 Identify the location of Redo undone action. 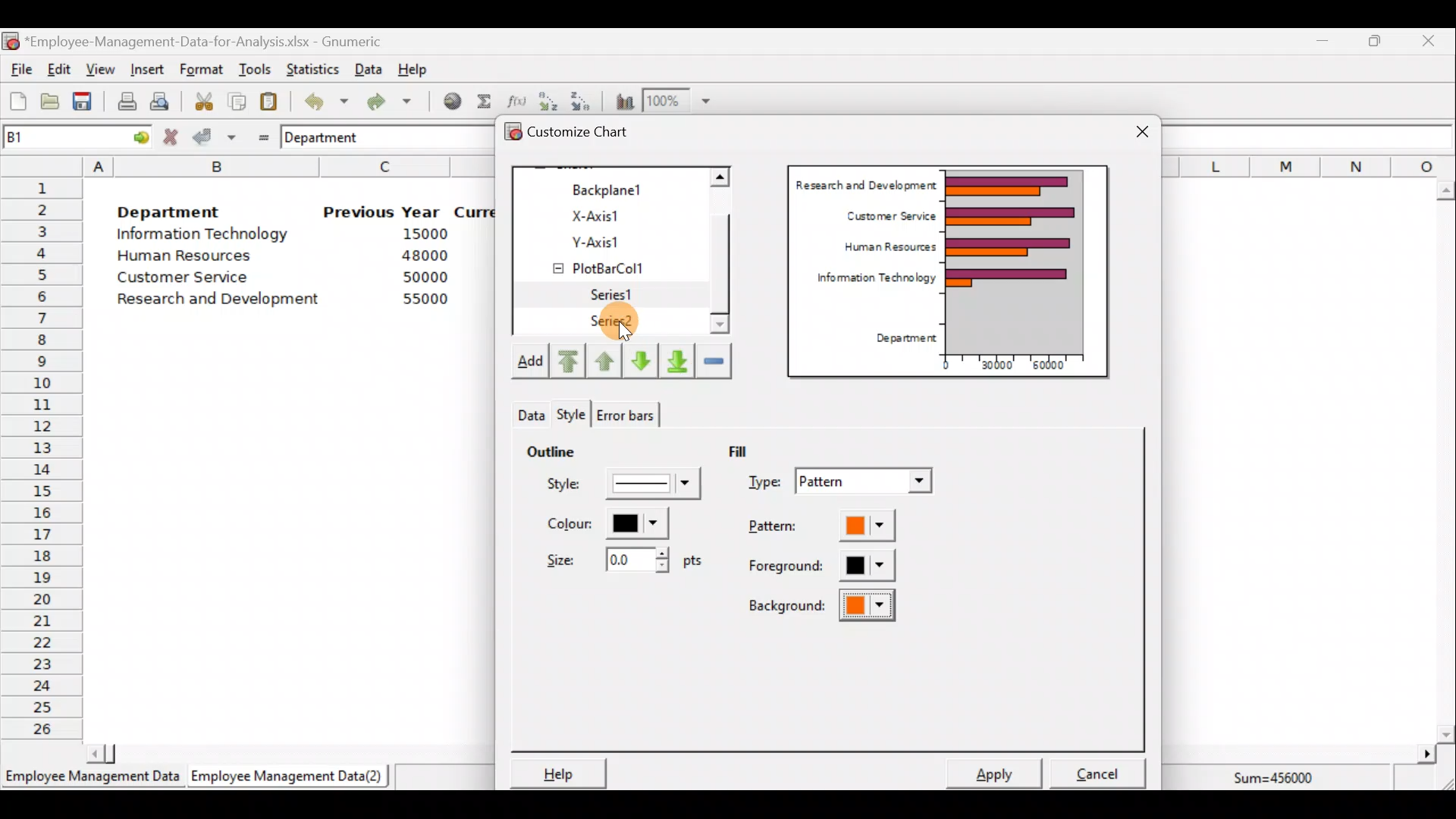
(386, 102).